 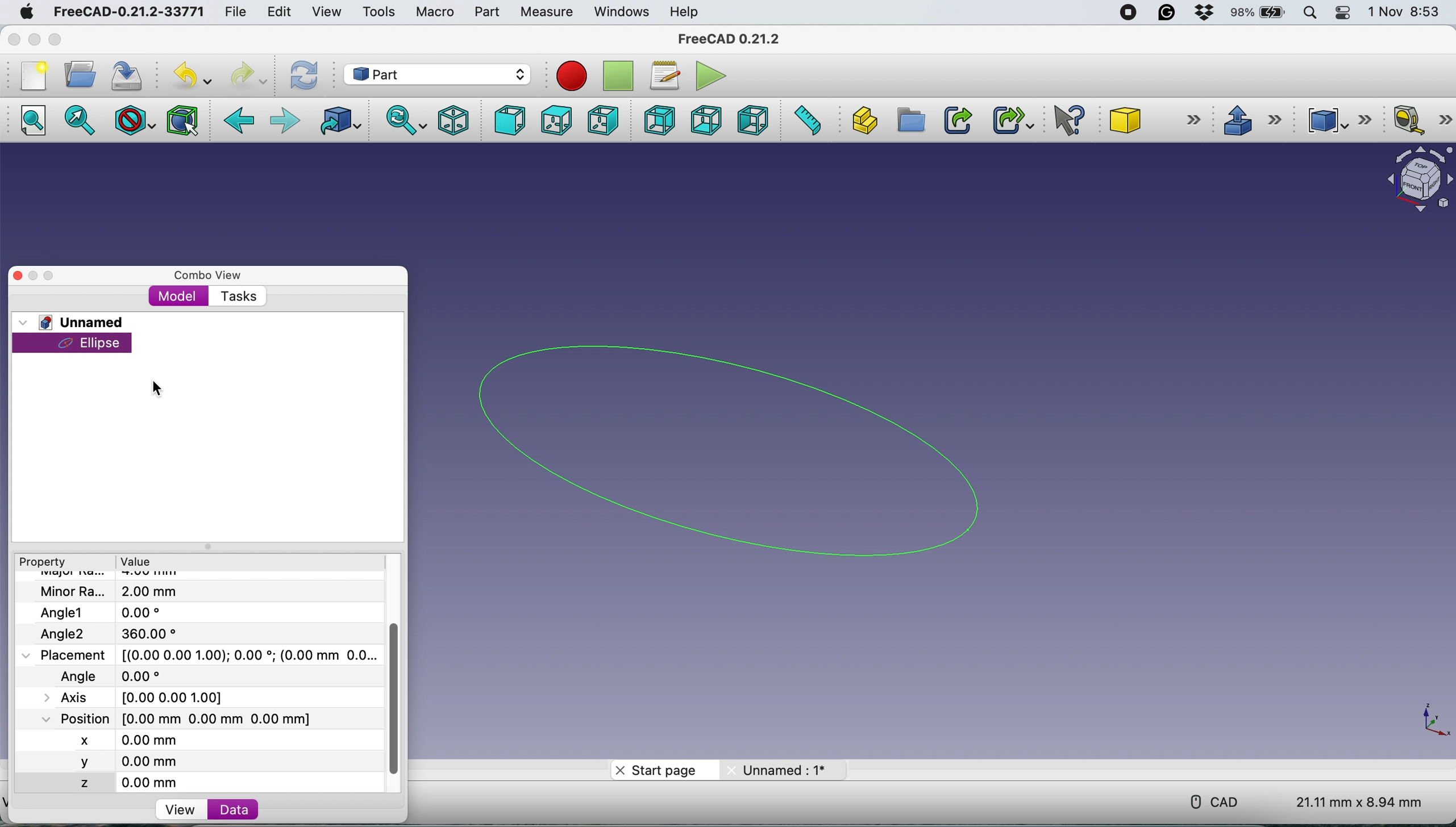 What do you see at coordinates (325, 11) in the screenshot?
I see `view` at bounding box center [325, 11].